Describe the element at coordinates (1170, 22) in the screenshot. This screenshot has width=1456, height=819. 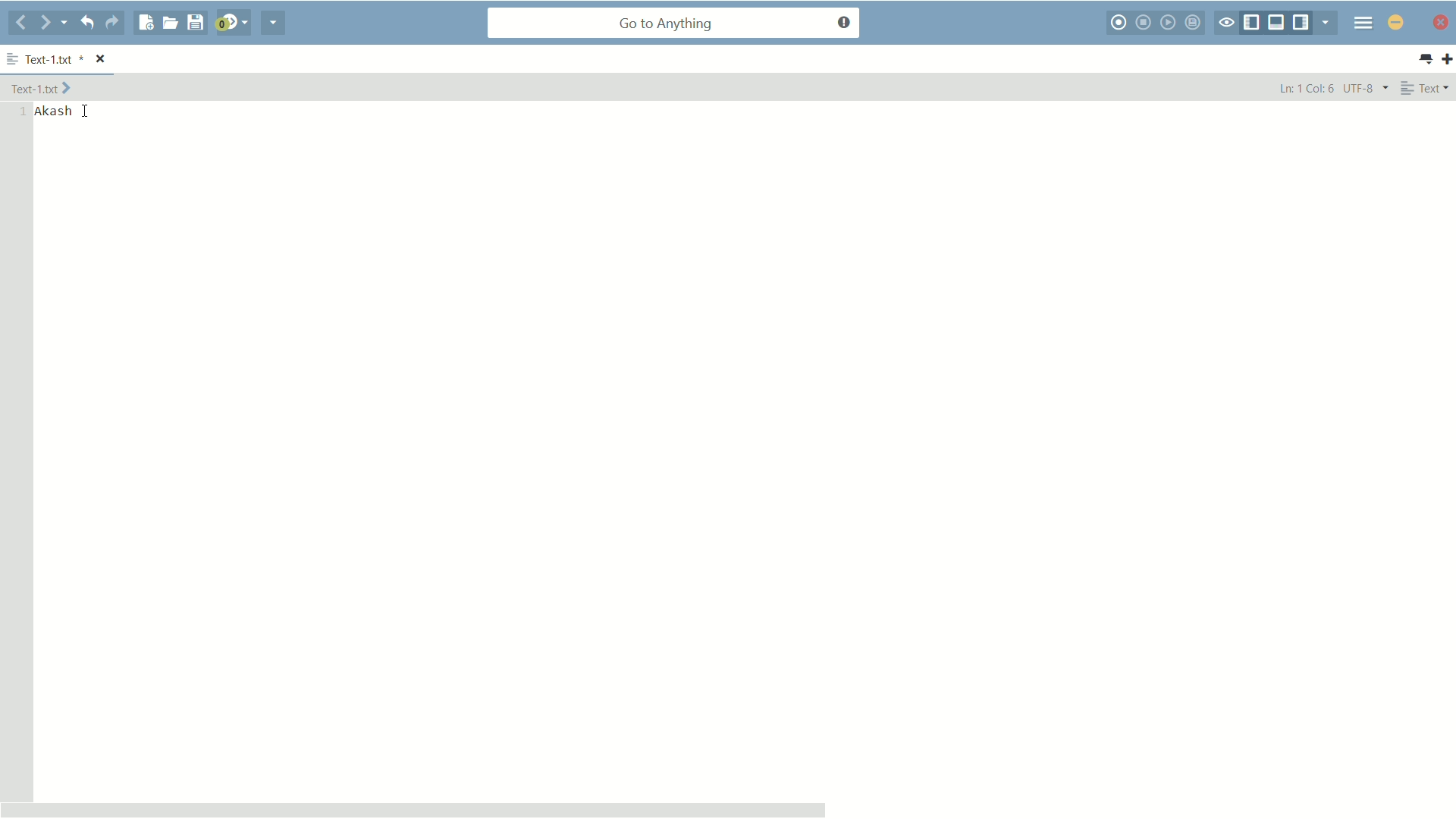
I see `play last macro` at that location.